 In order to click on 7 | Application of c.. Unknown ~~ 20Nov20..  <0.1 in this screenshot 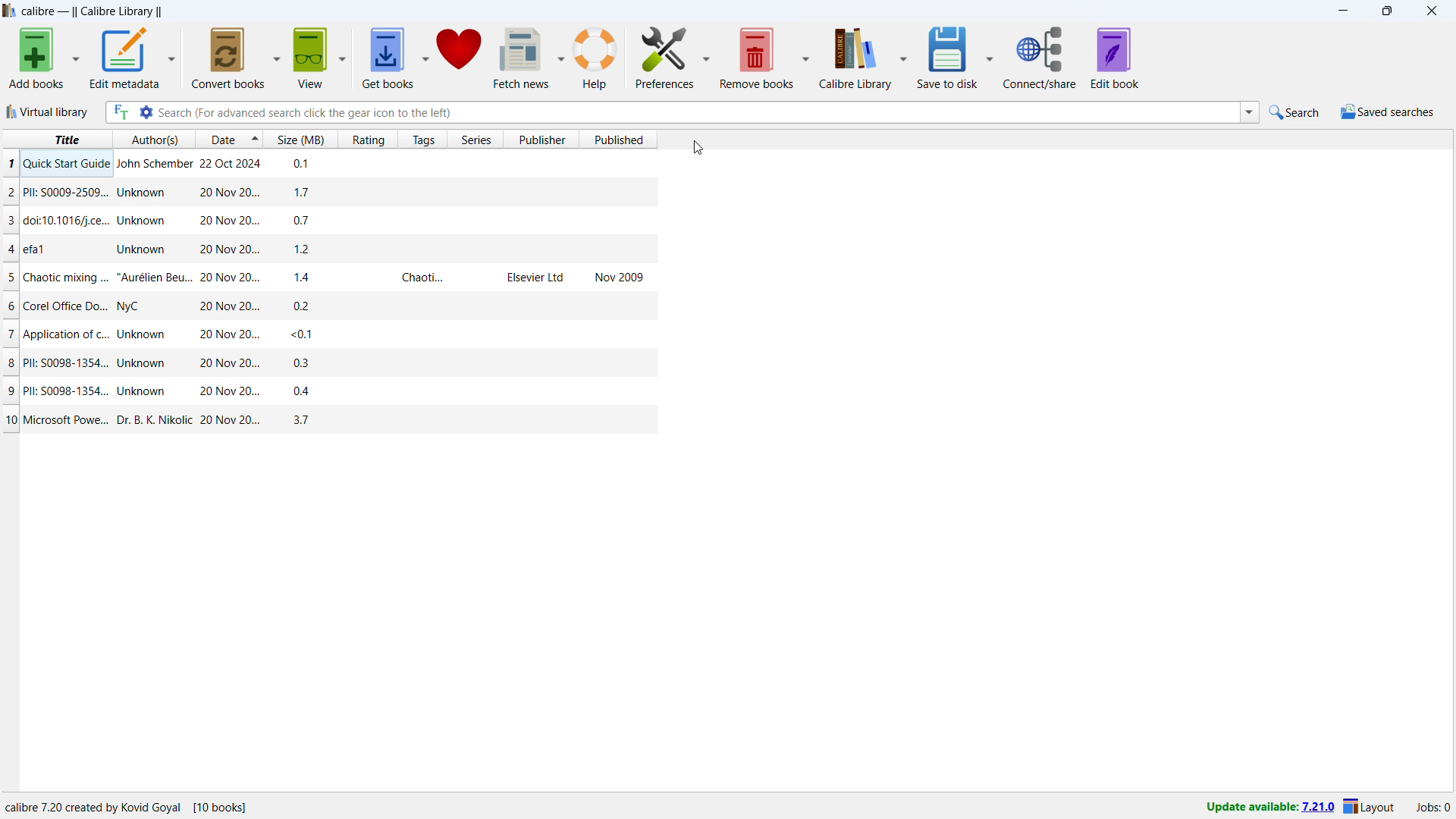, I will do `click(324, 335)`.